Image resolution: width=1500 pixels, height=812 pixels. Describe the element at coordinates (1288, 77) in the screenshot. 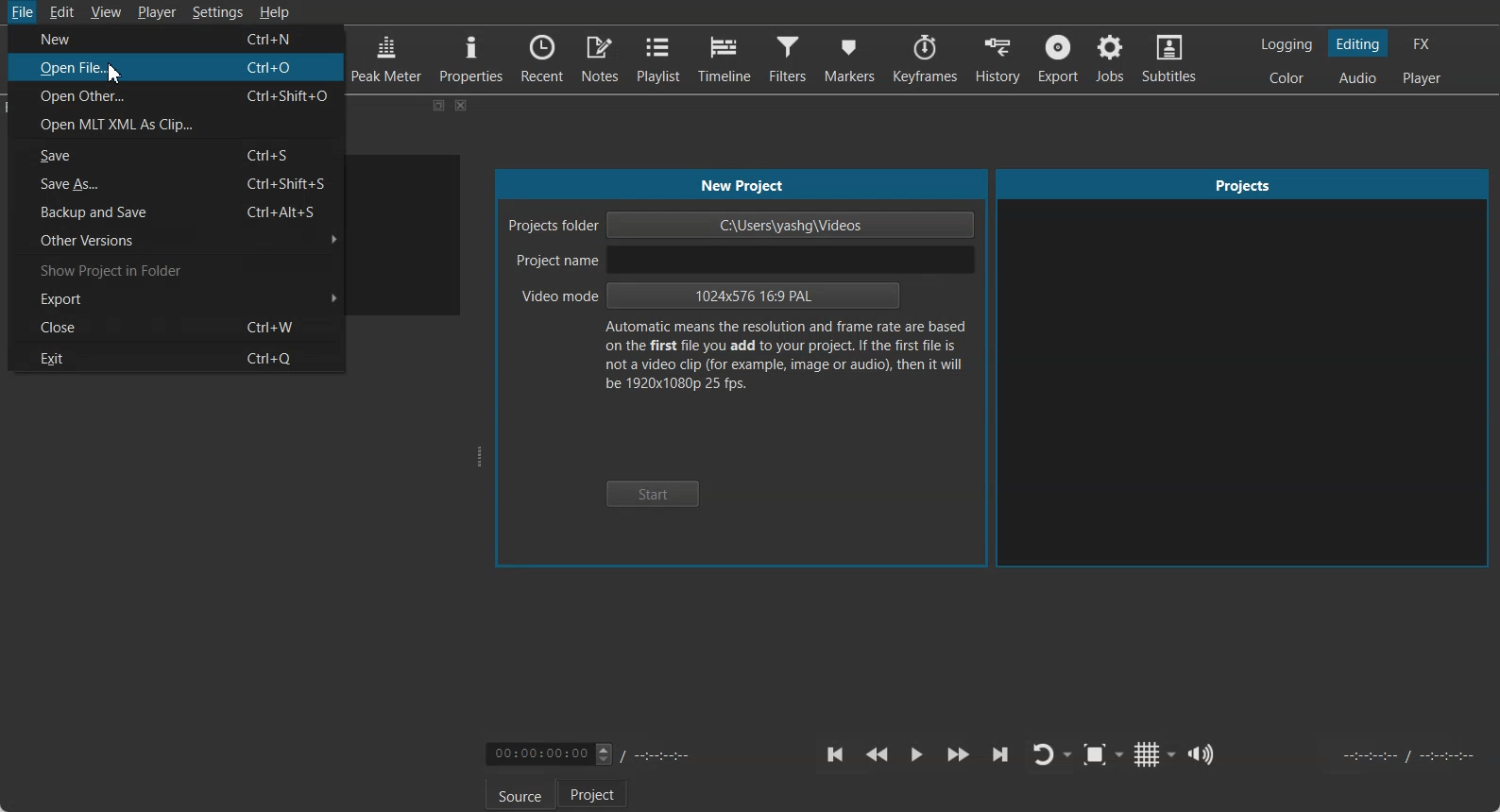

I see `Switch to the color layout` at that location.